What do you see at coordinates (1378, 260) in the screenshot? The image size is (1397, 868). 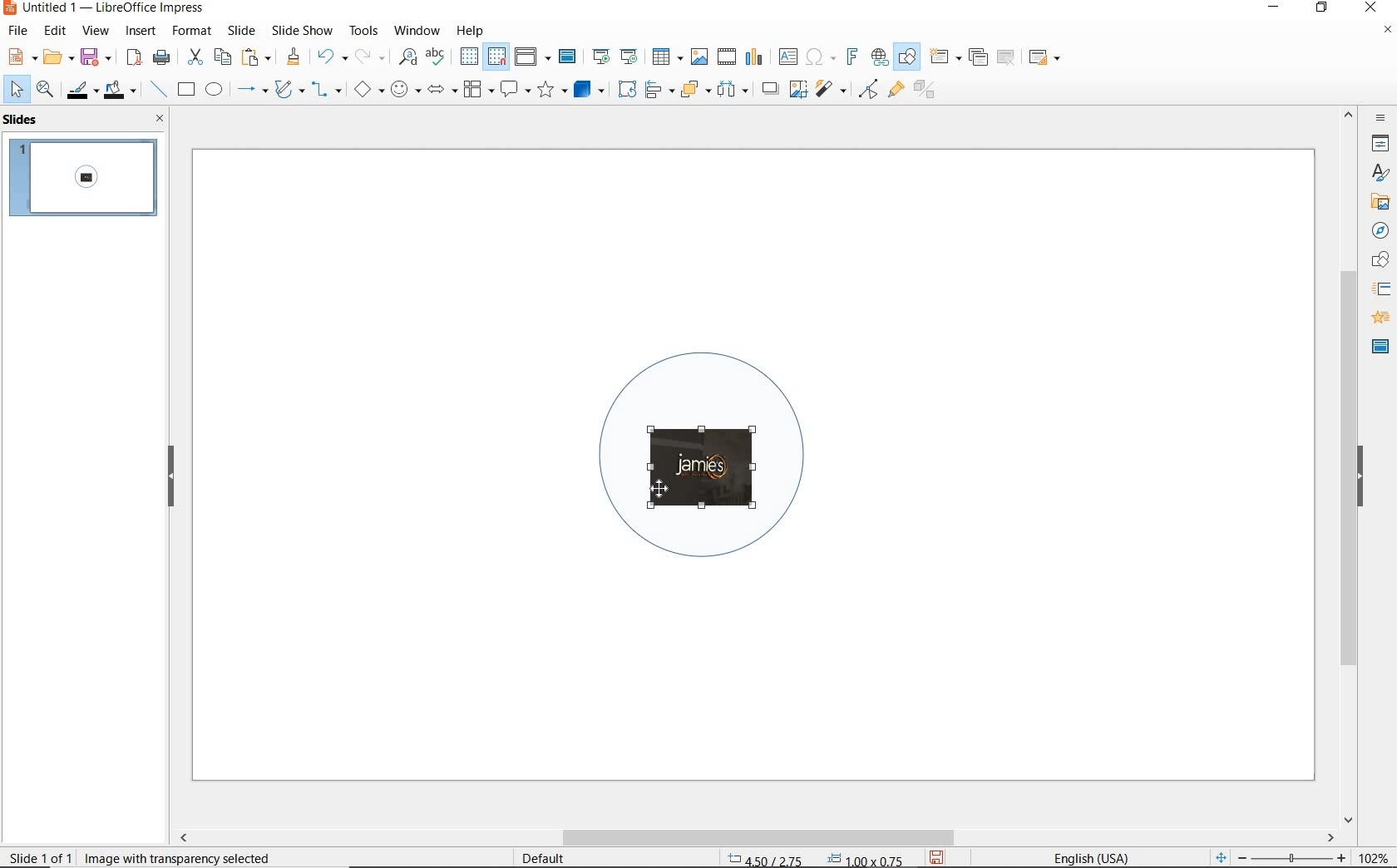 I see `shapes` at bounding box center [1378, 260].